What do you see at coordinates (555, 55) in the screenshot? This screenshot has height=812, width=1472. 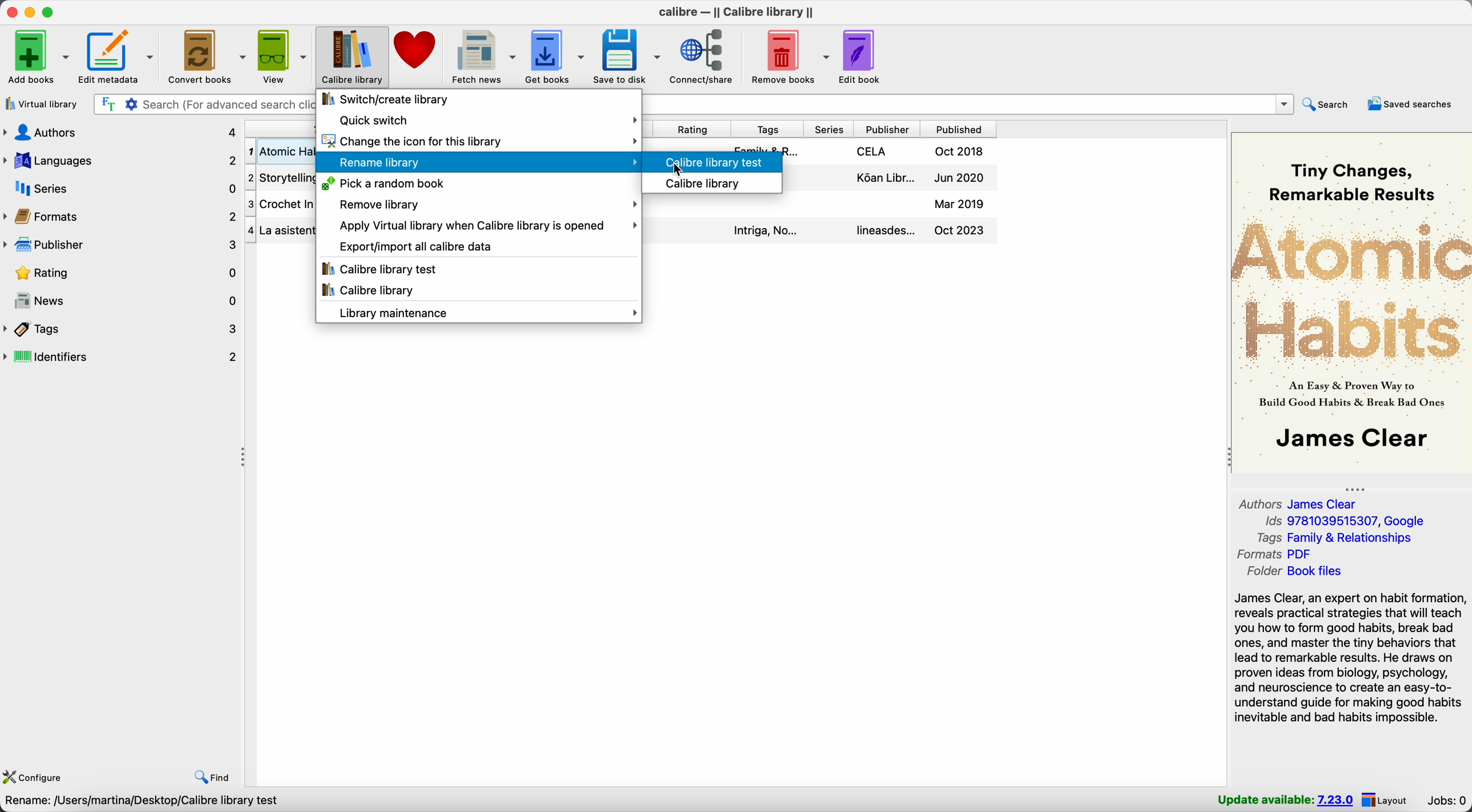 I see `get books` at bounding box center [555, 55].